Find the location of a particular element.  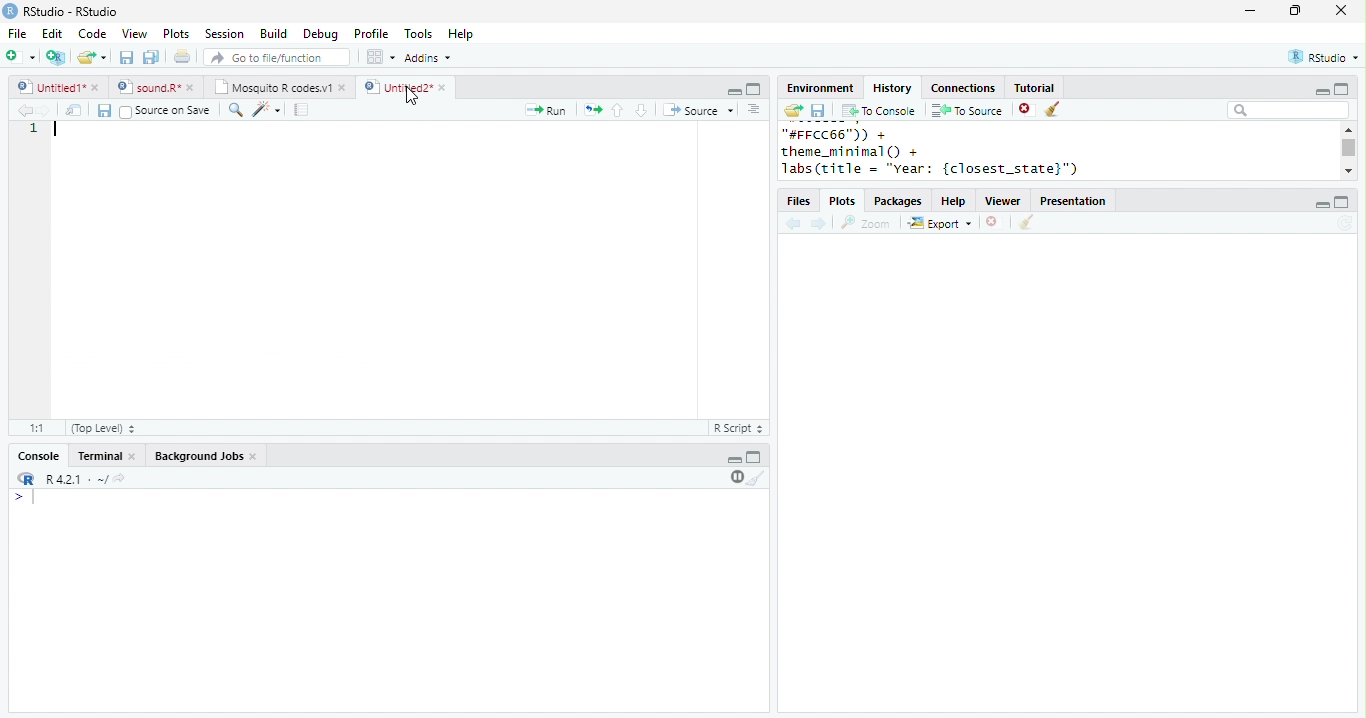

close is located at coordinates (134, 457).